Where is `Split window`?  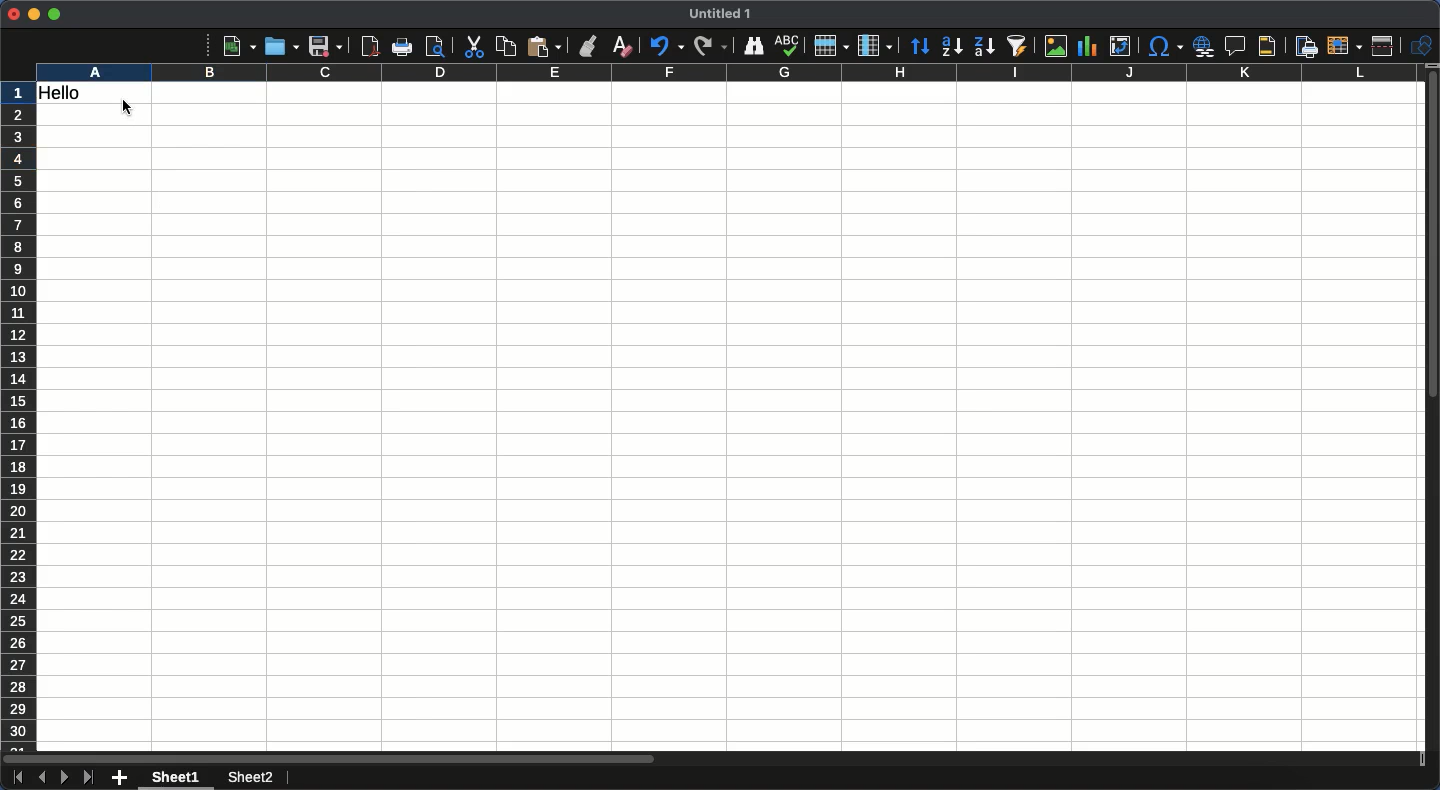
Split window is located at coordinates (1387, 46).